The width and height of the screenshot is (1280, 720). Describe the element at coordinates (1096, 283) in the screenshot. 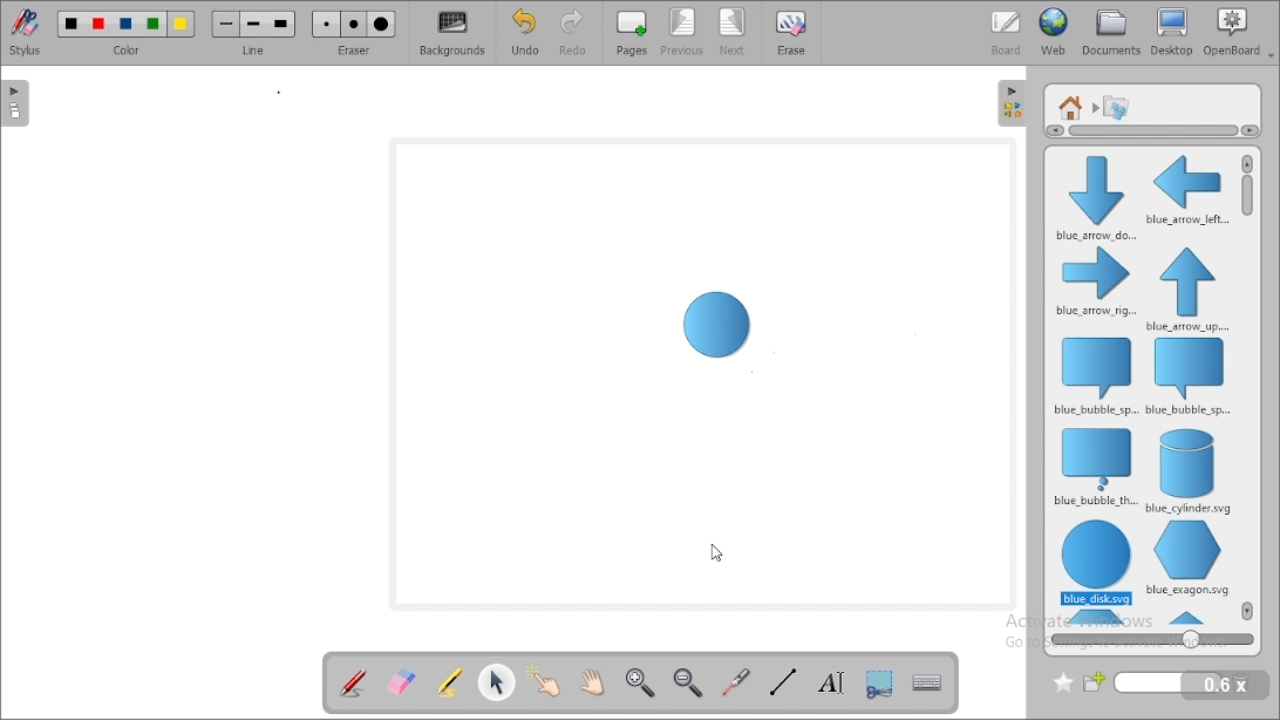

I see `blue arrow right` at that location.